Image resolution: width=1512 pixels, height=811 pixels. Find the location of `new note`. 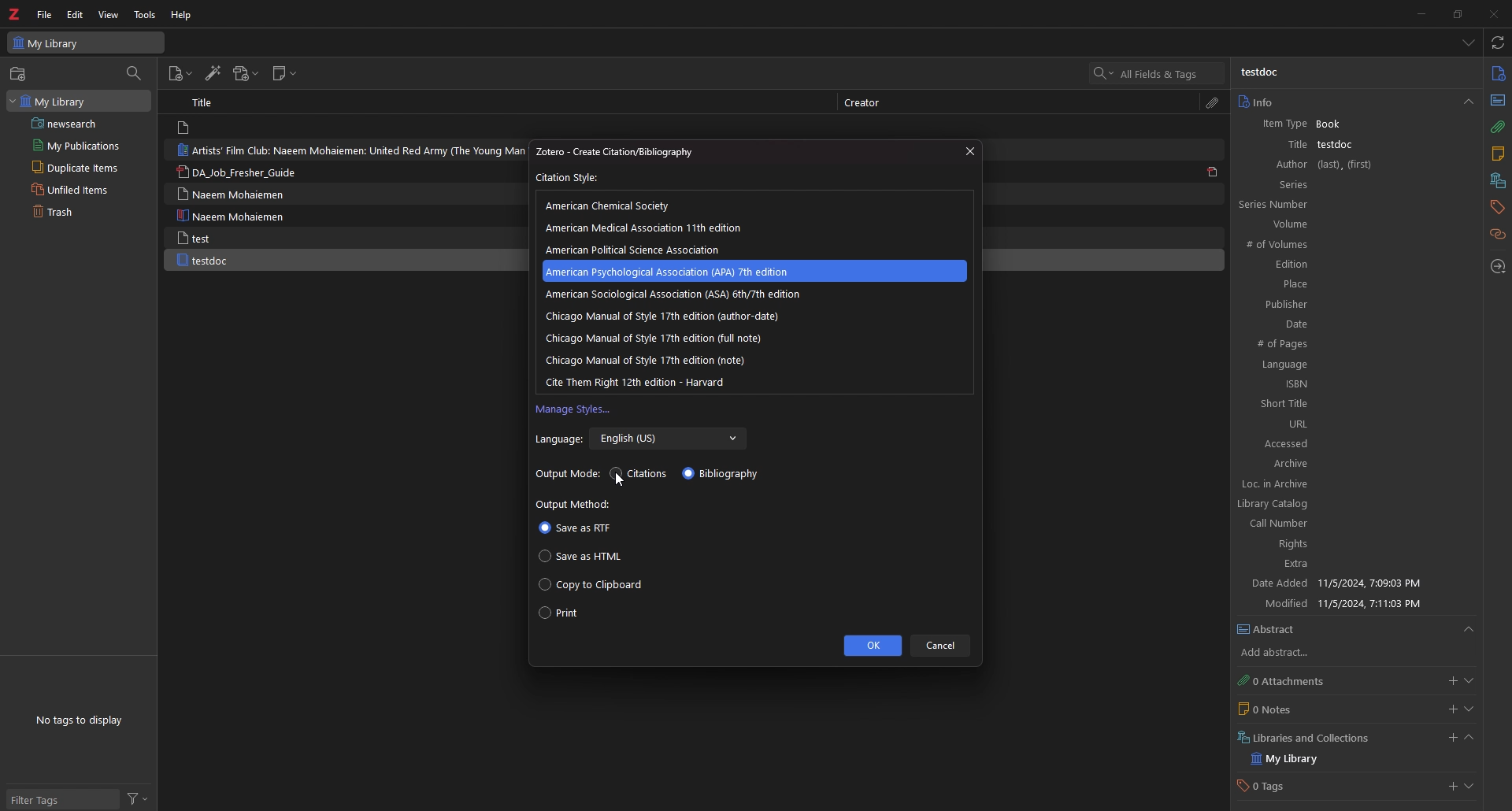

new note is located at coordinates (285, 74).